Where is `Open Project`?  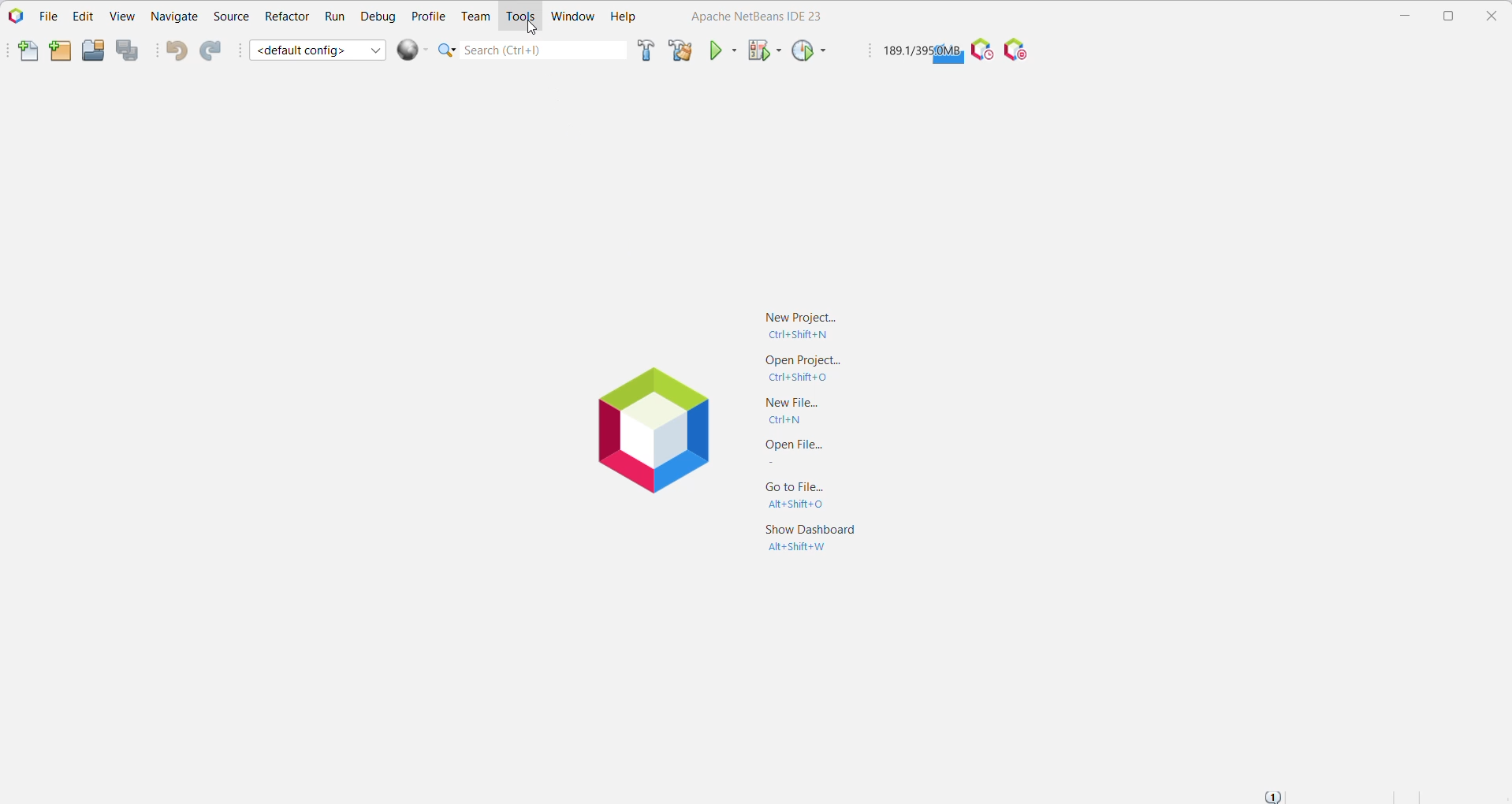
Open Project is located at coordinates (93, 50).